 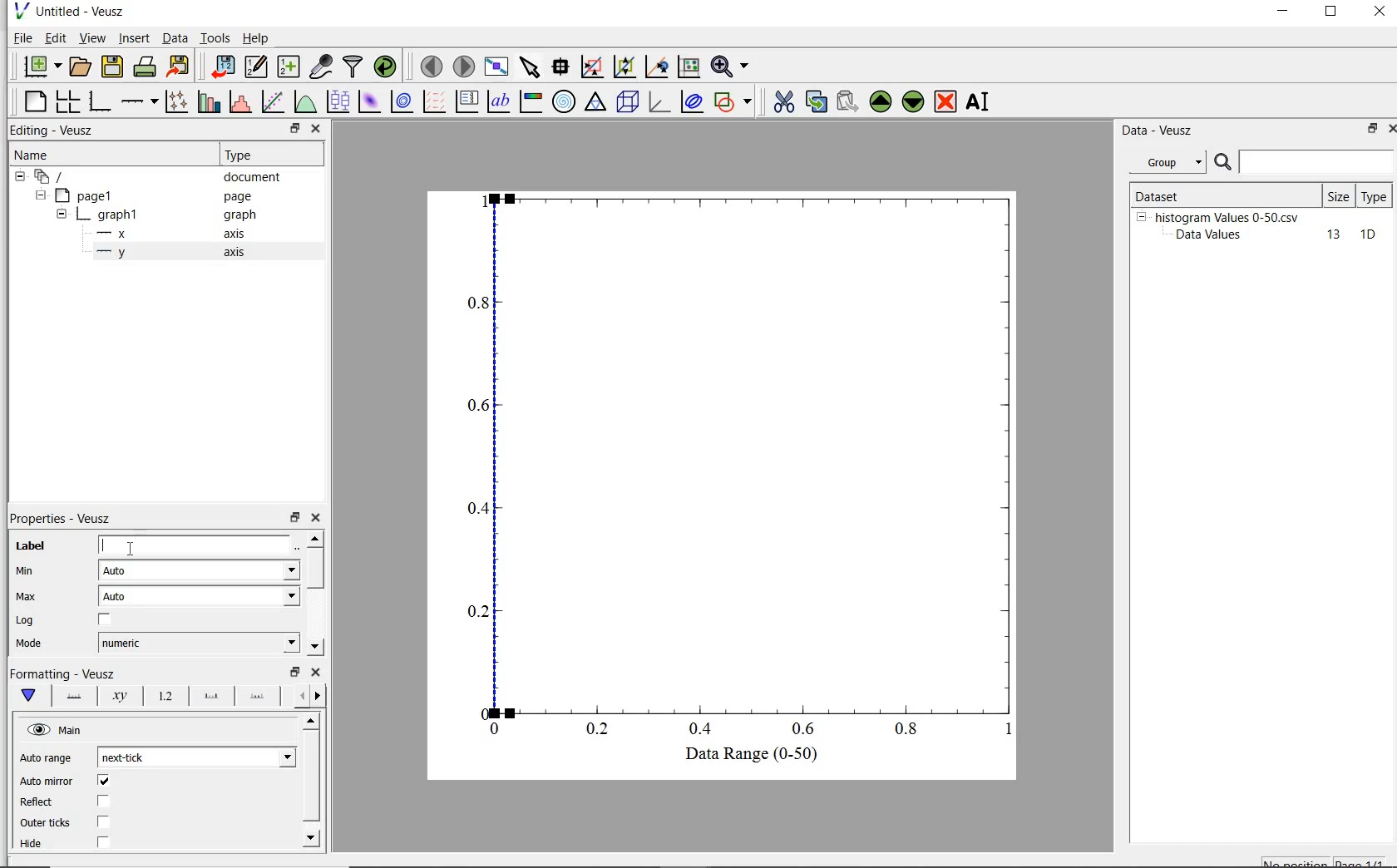 What do you see at coordinates (1380, 12) in the screenshot?
I see `close` at bounding box center [1380, 12].